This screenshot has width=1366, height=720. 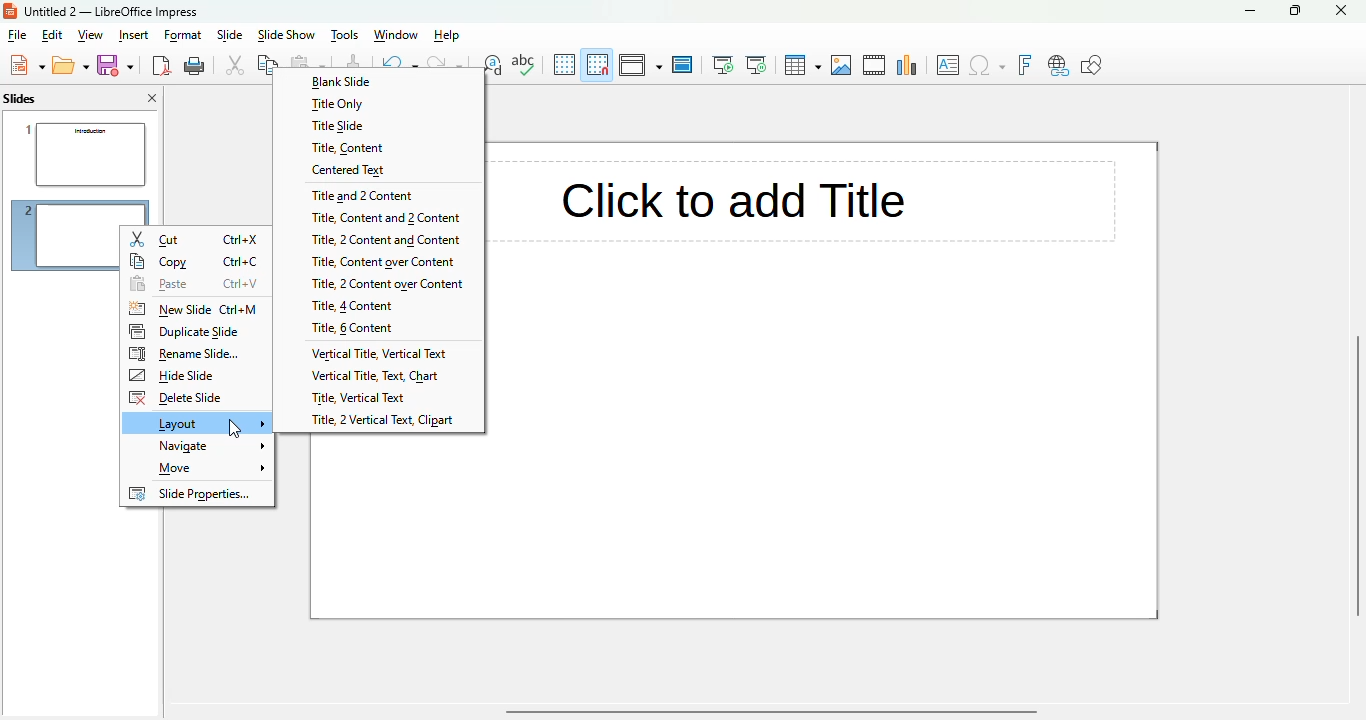 I want to click on file, so click(x=16, y=35).